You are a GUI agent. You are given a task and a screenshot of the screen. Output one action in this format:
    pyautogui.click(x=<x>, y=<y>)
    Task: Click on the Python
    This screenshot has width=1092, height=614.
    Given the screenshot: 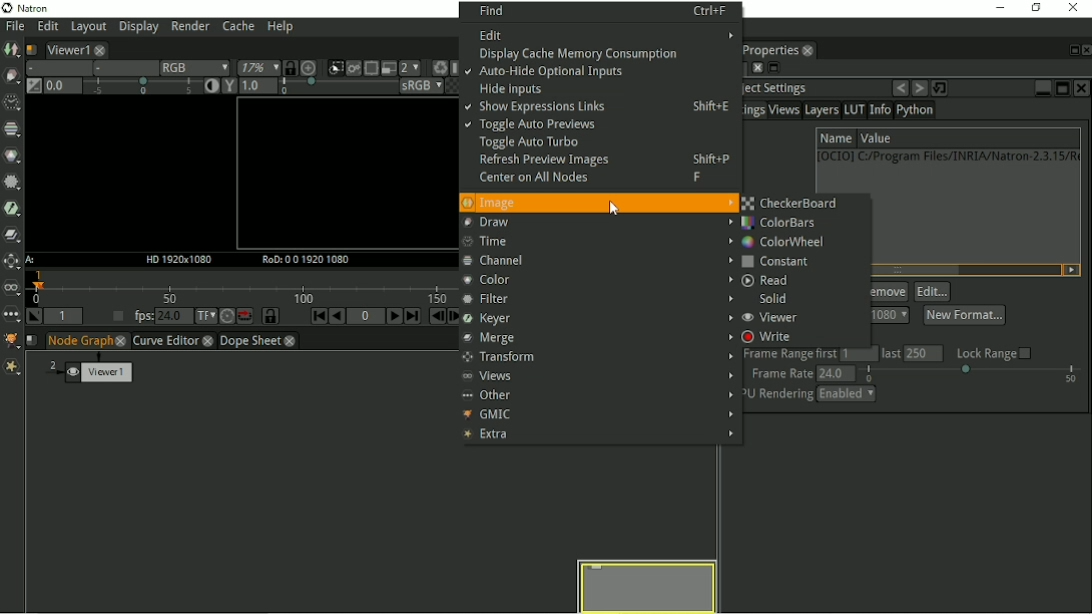 What is the action you would take?
    pyautogui.click(x=918, y=112)
    